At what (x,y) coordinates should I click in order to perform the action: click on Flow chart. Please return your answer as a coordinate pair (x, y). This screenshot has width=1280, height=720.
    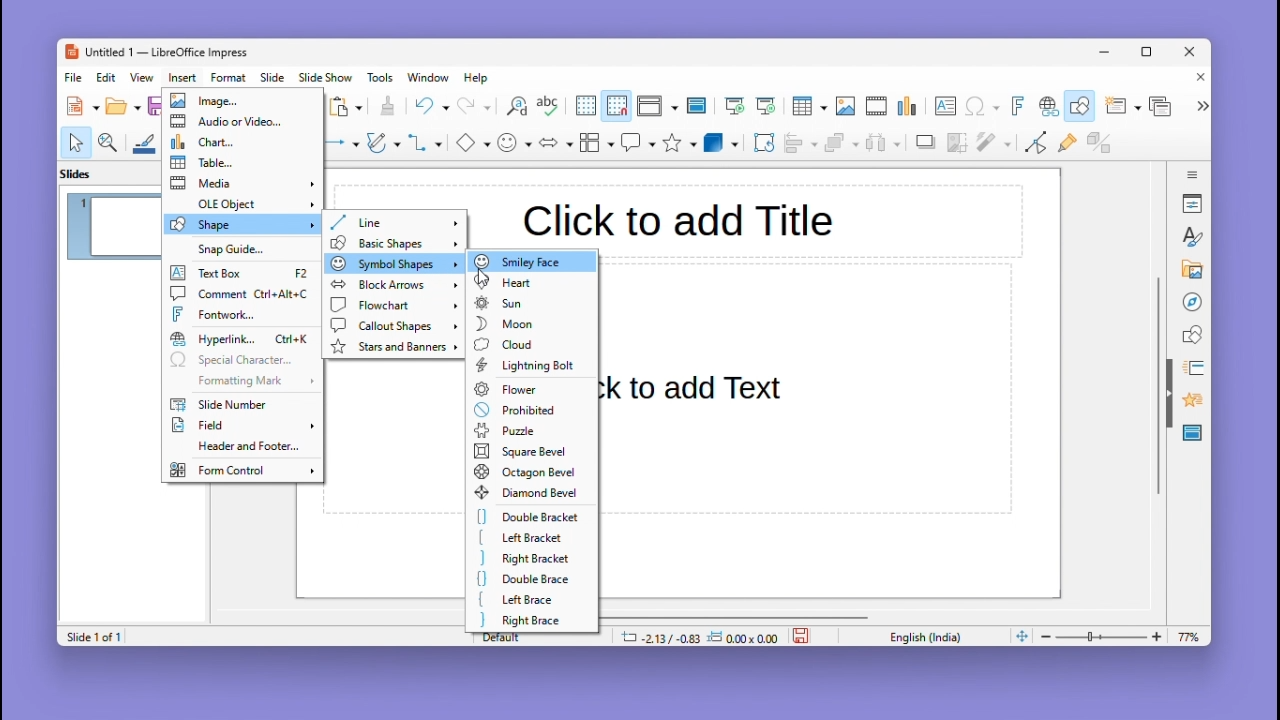
    Looking at the image, I should click on (393, 306).